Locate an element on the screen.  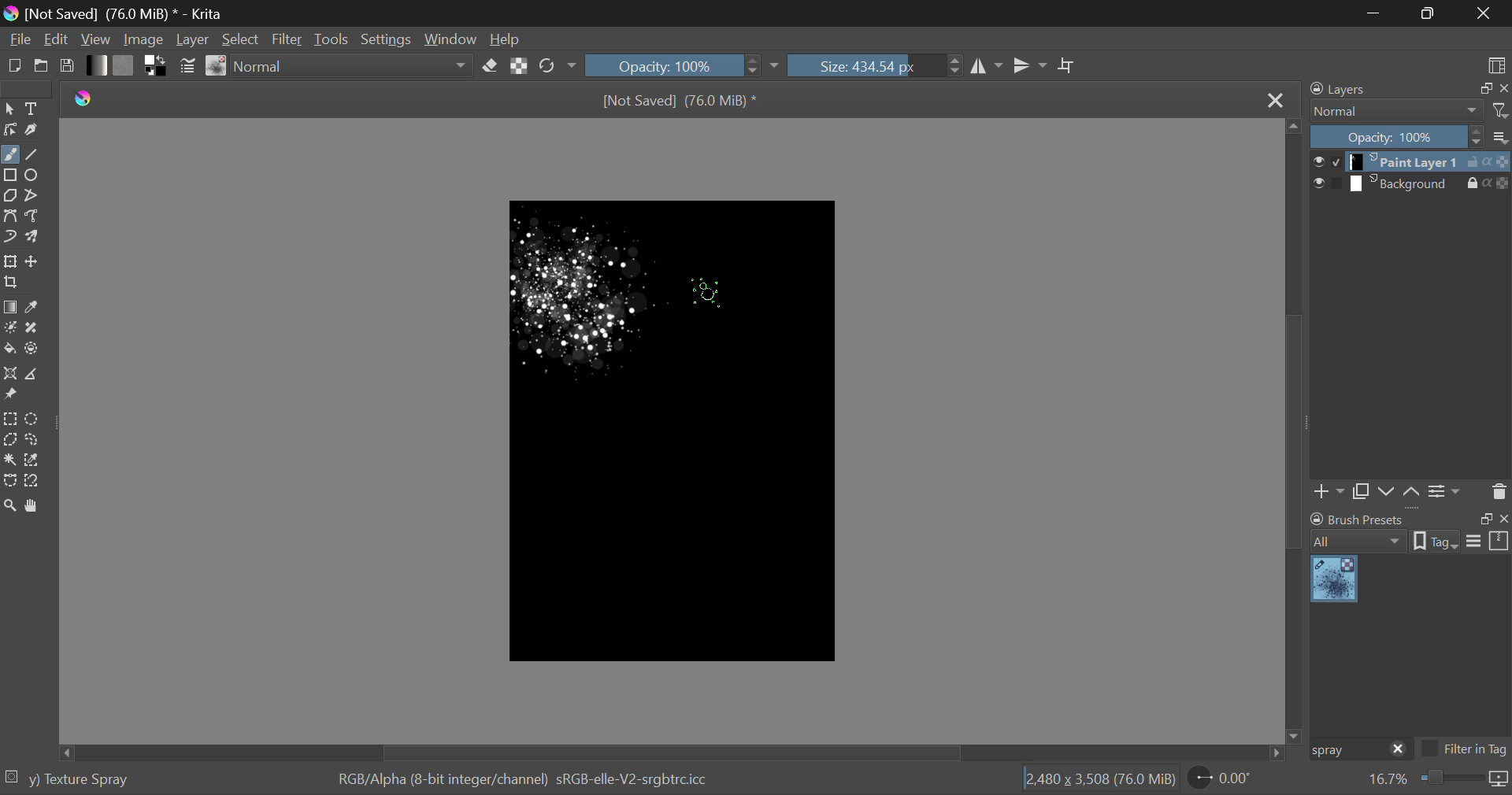
Layer Movement down is located at coordinates (1388, 493).